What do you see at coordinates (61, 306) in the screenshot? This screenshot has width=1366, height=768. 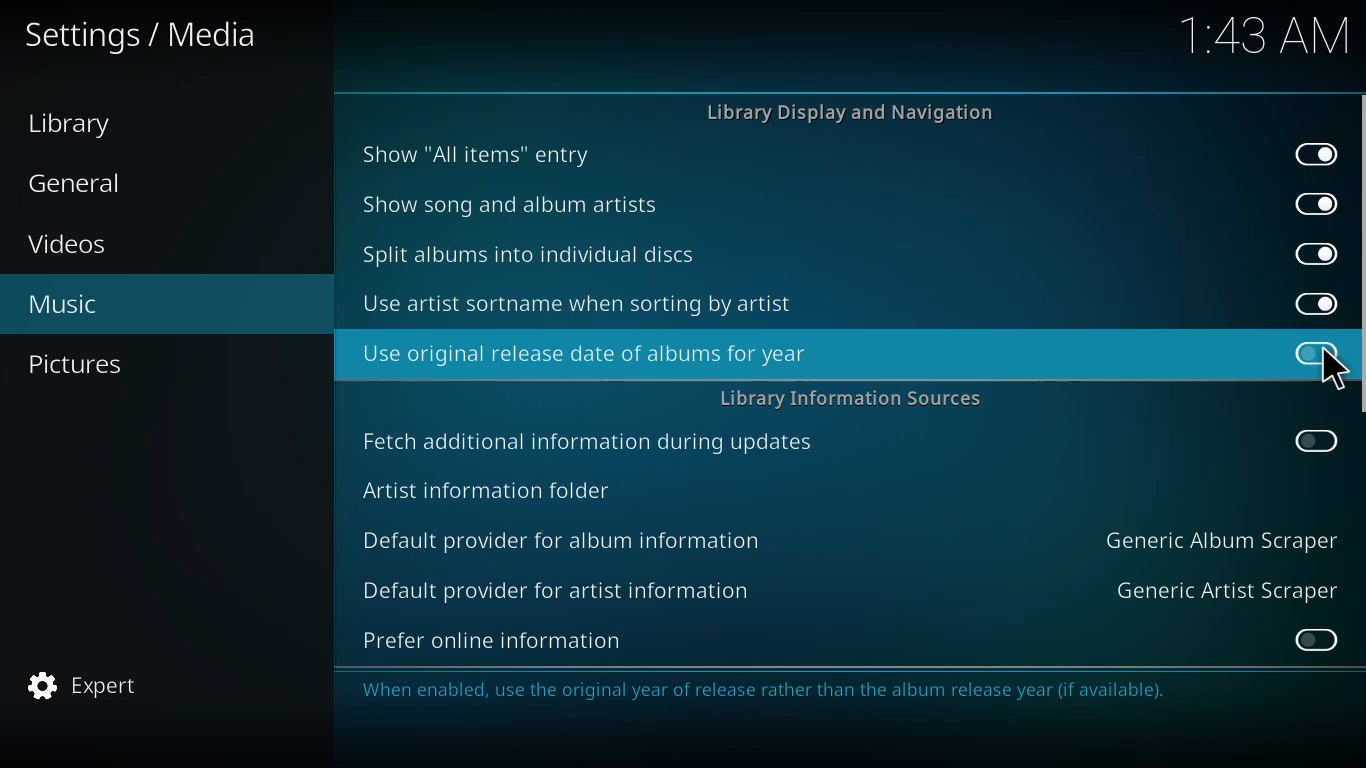 I see `music` at bounding box center [61, 306].